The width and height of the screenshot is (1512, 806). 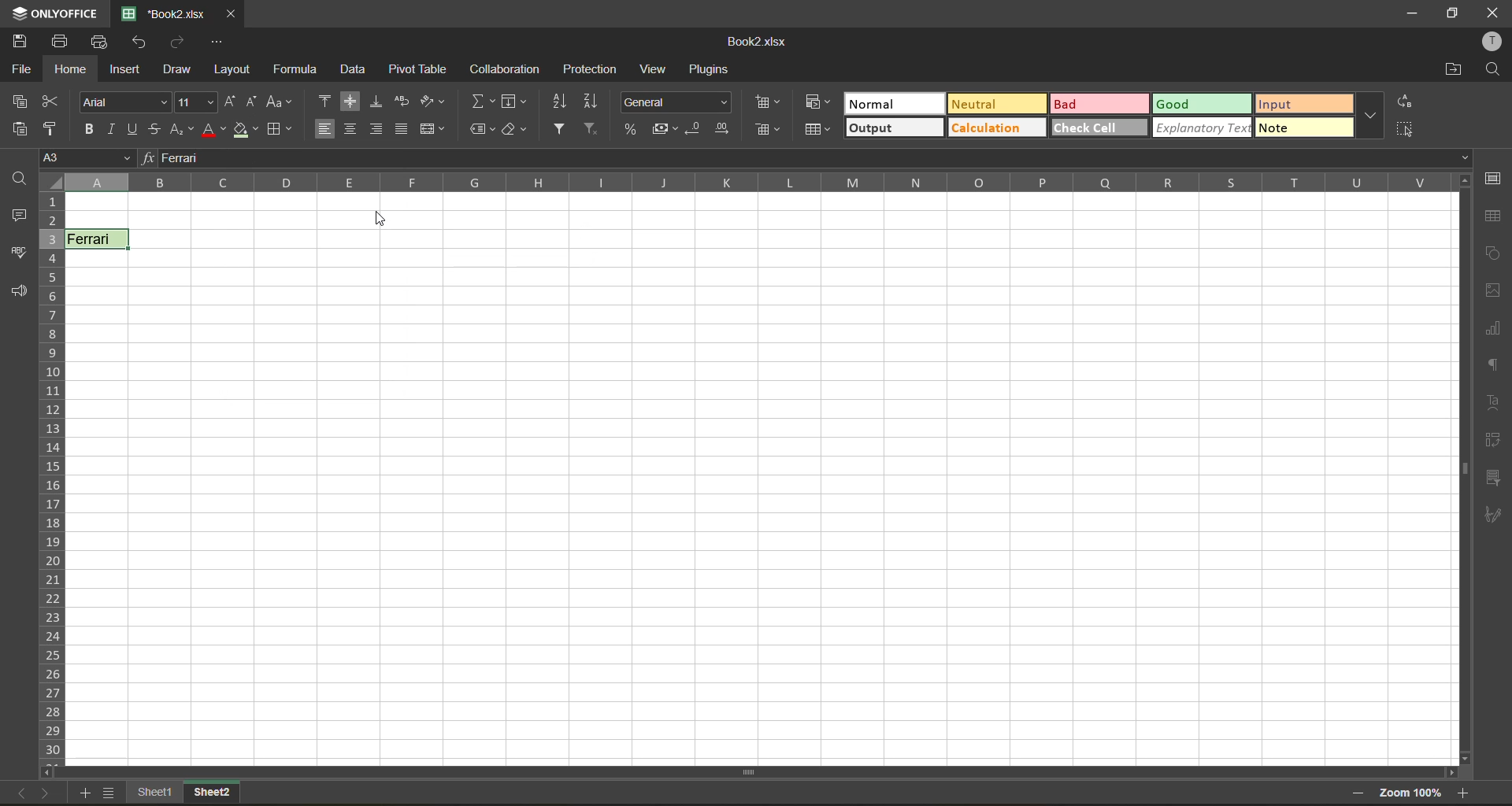 What do you see at coordinates (813, 103) in the screenshot?
I see `conditional formatting` at bounding box center [813, 103].